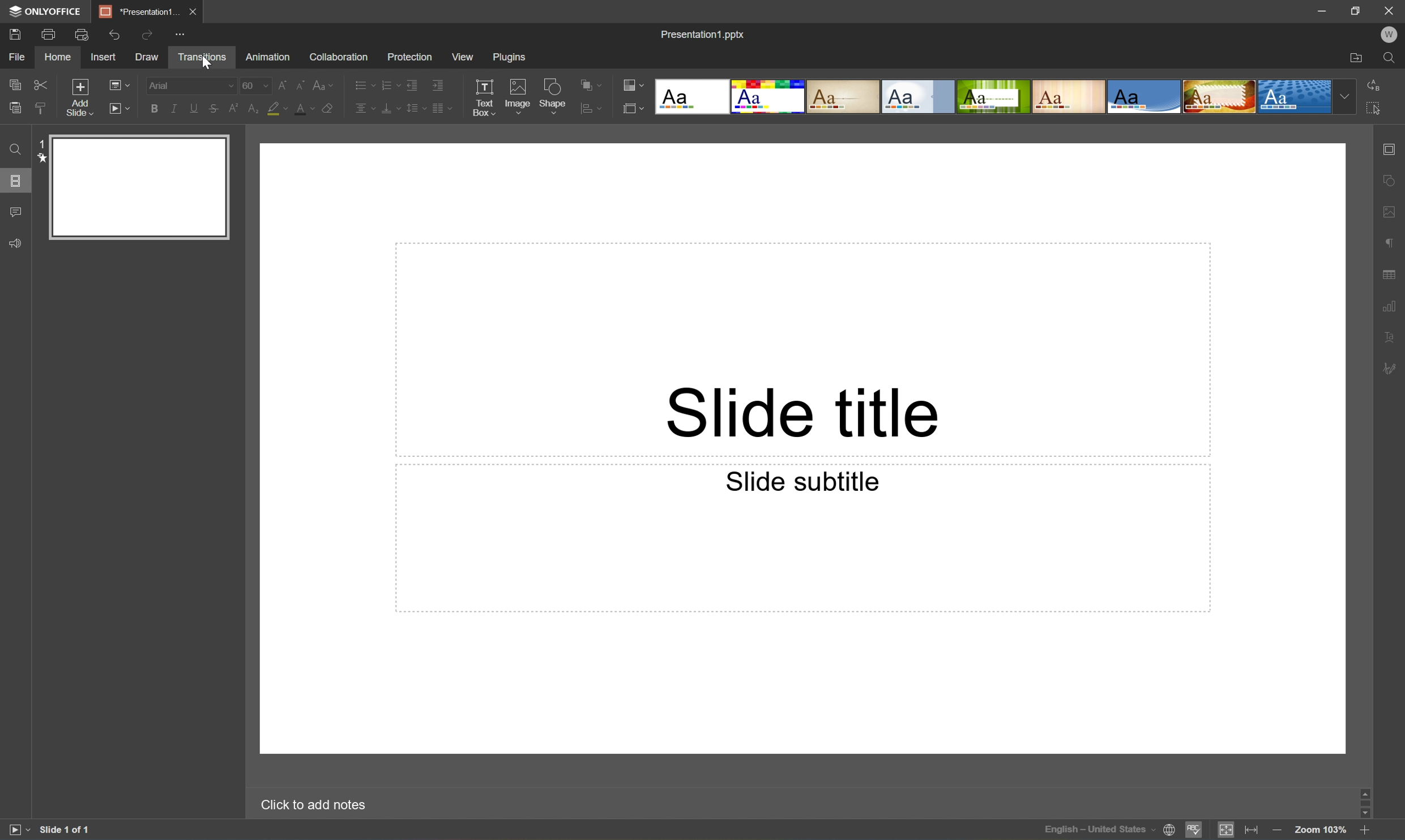  I want to click on English - United States, so click(1100, 833).